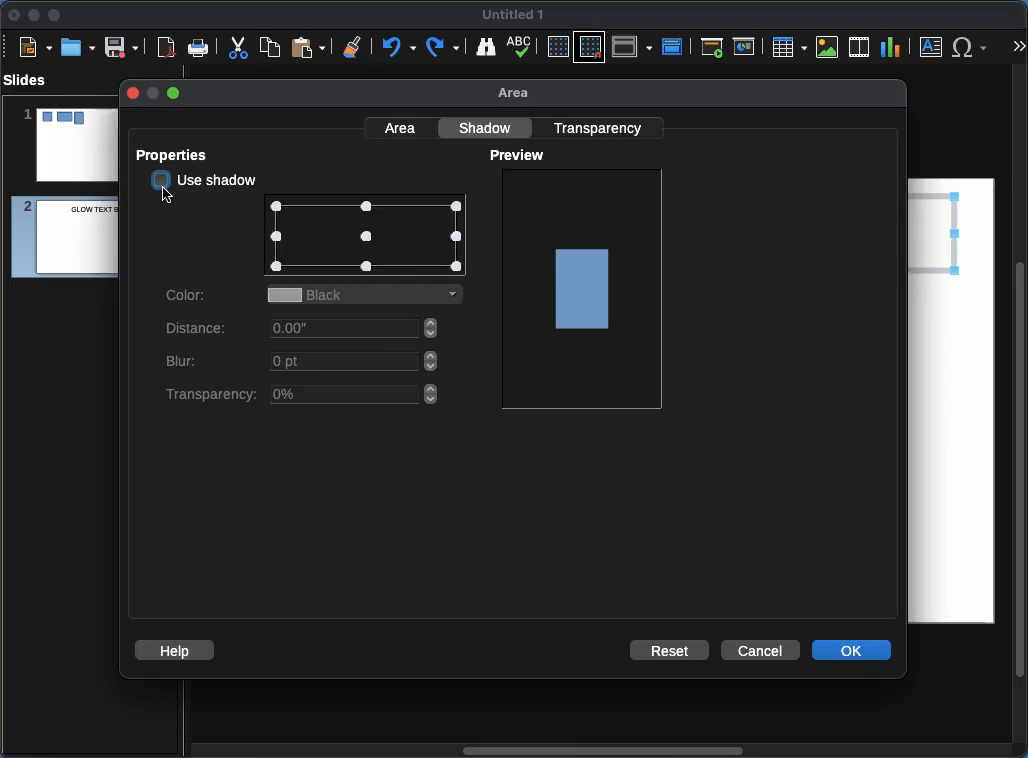  Describe the element at coordinates (520, 156) in the screenshot. I see `Preview` at that location.